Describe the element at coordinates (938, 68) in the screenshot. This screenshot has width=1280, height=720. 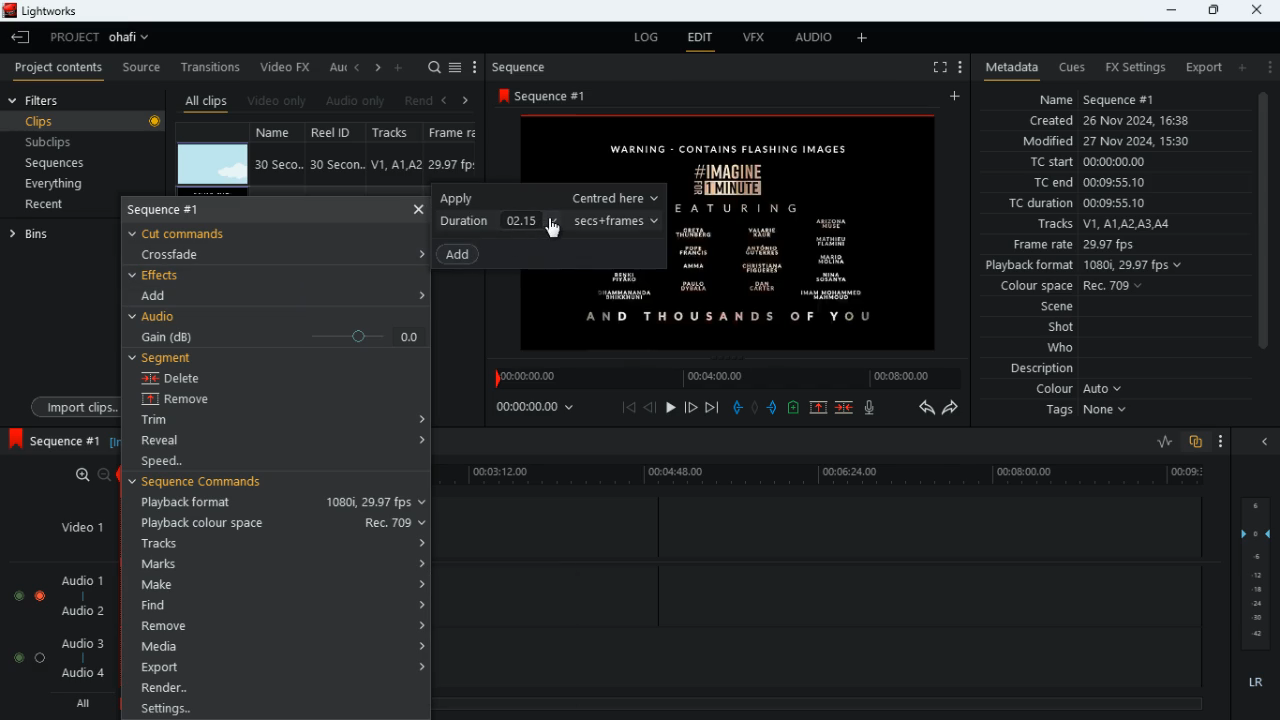
I see `fullscreen` at that location.